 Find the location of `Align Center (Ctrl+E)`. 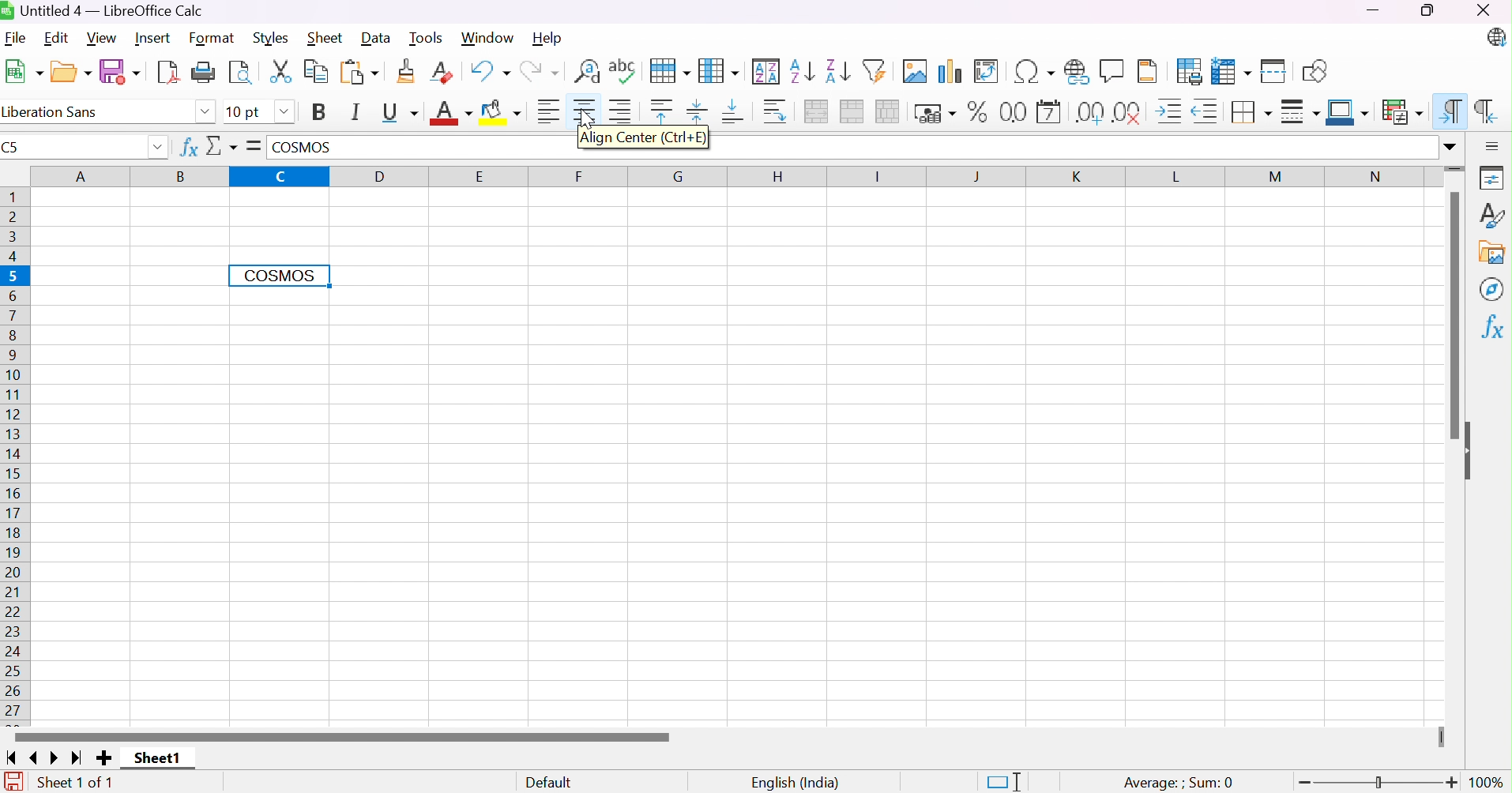

Align Center (Ctrl+E) is located at coordinates (643, 139).